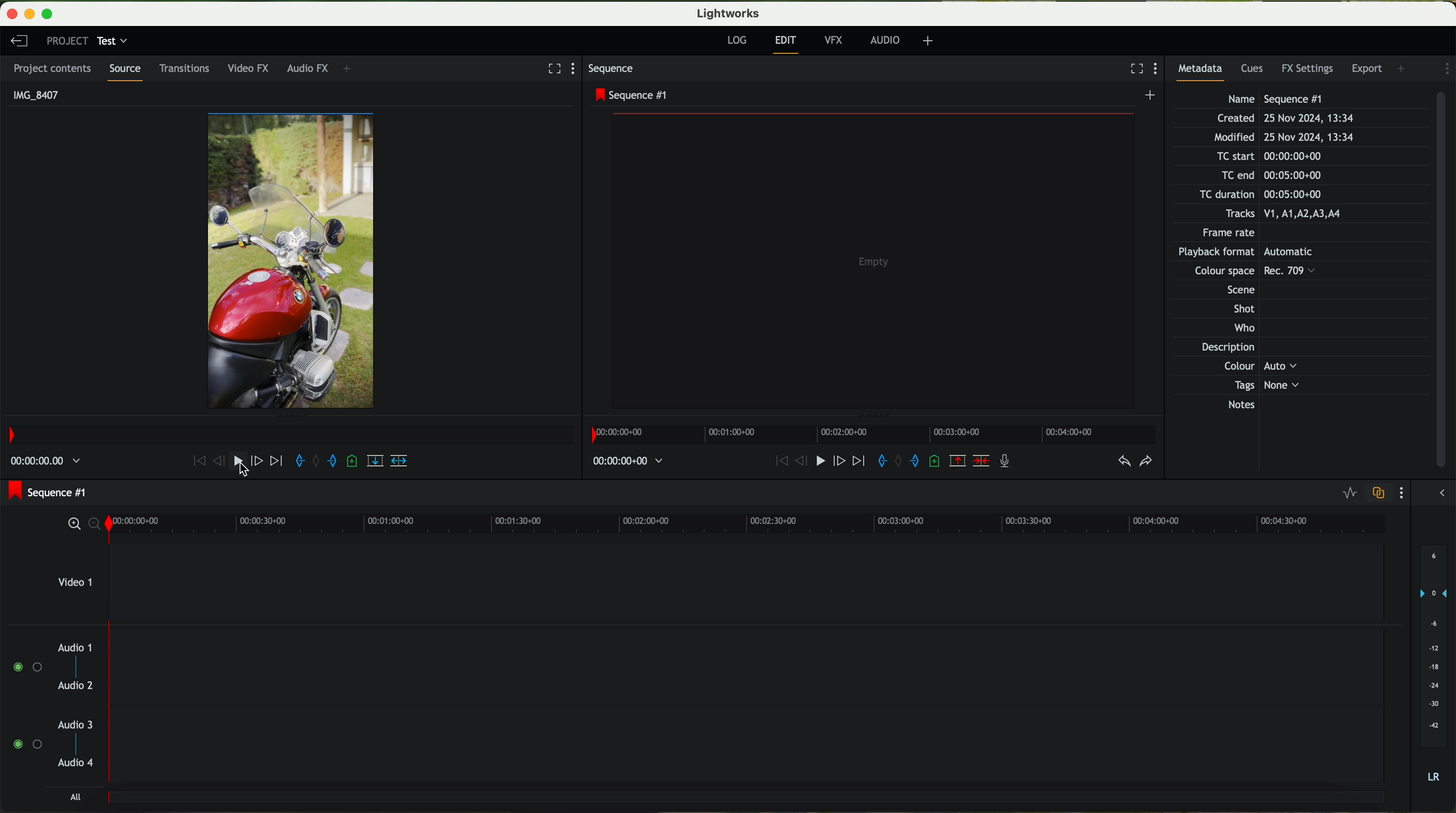  I want to click on audio output level (dB), so click(1431, 663).